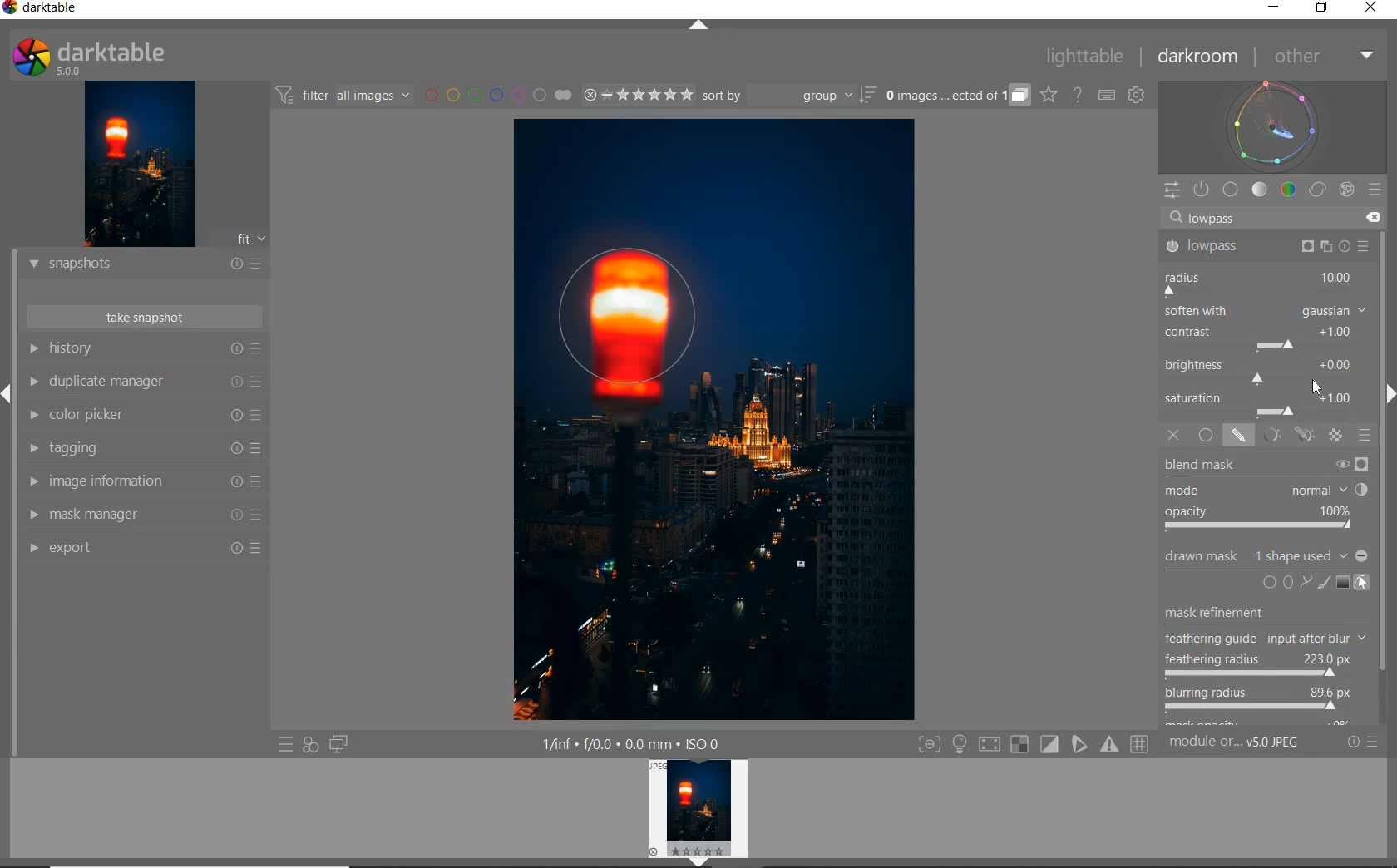  I want to click on BLEND MASK, so click(1266, 494).